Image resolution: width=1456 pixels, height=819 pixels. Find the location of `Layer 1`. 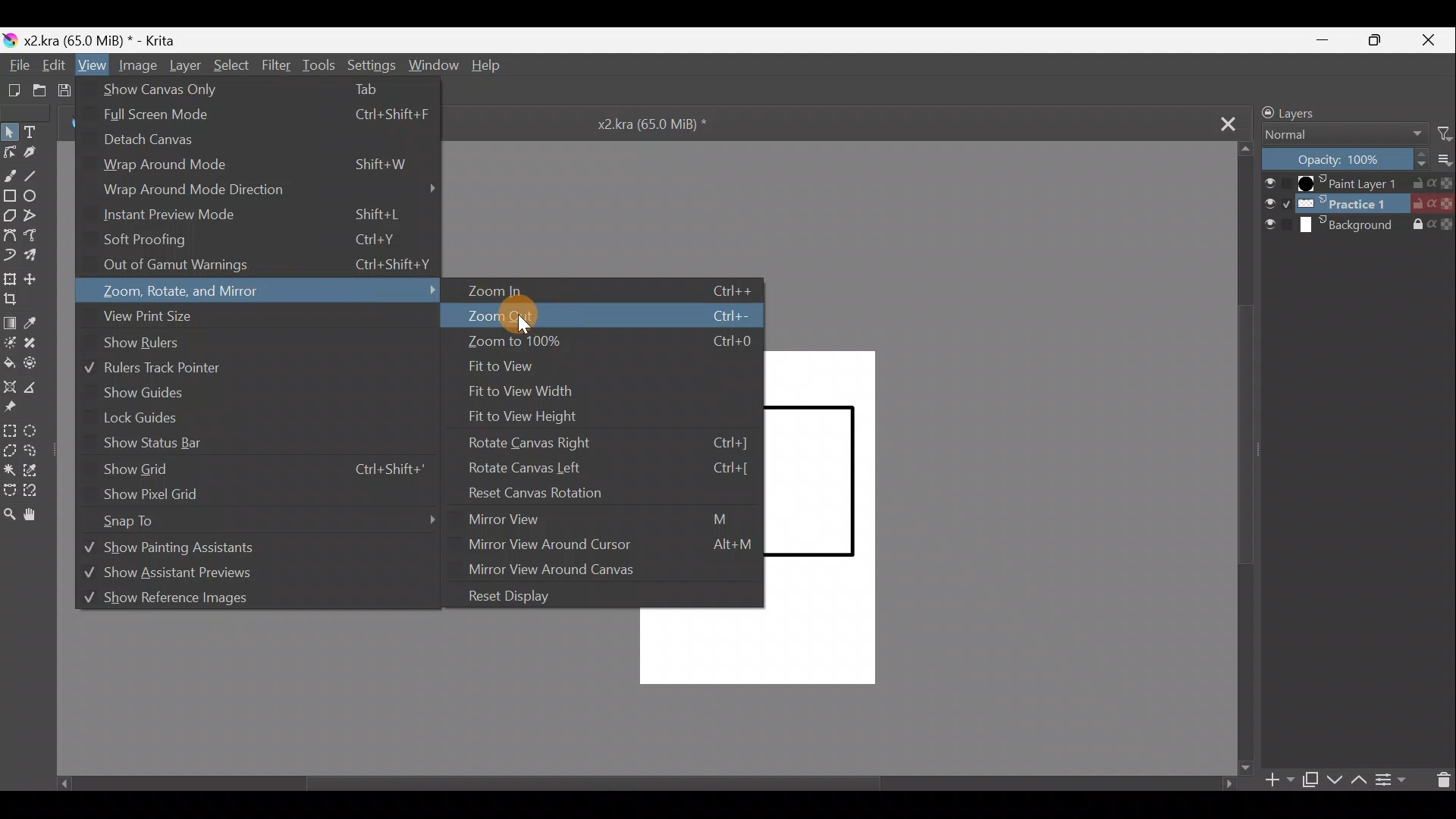

Layer 1 is located at coordinates (1358, 184).